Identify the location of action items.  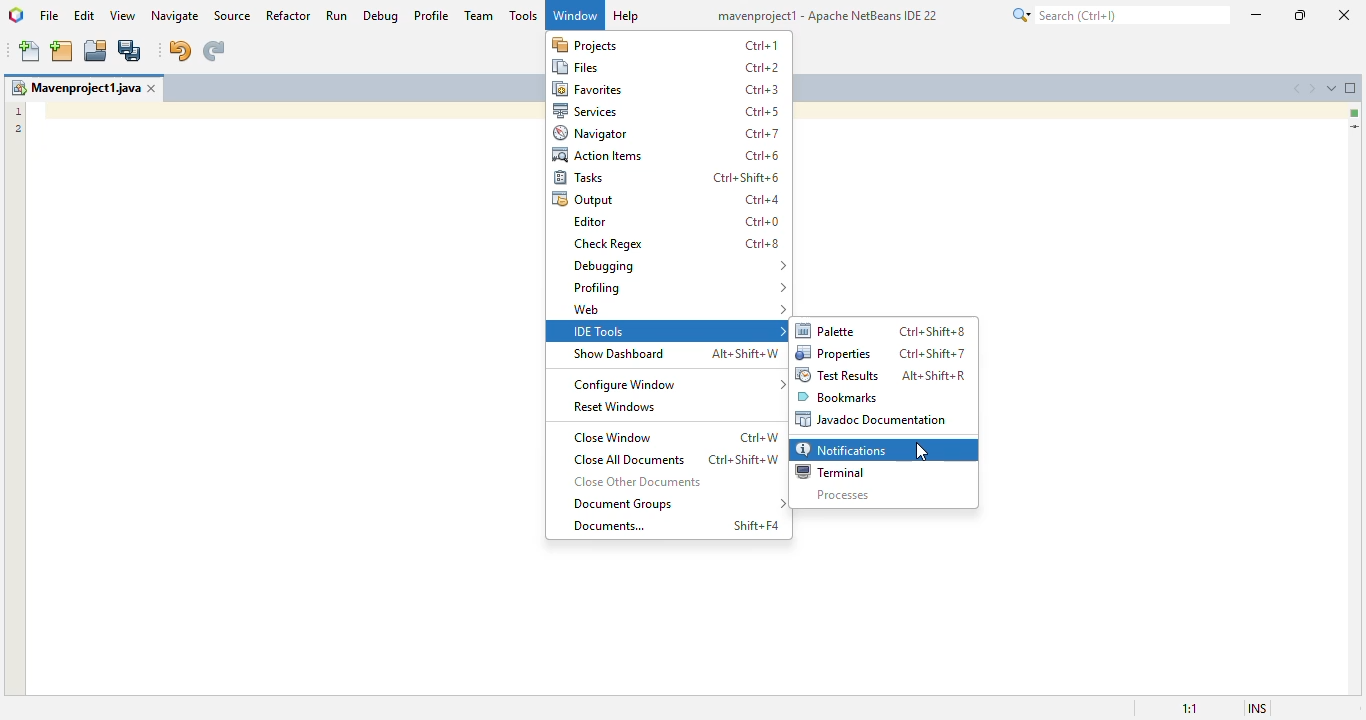
(598, 155).